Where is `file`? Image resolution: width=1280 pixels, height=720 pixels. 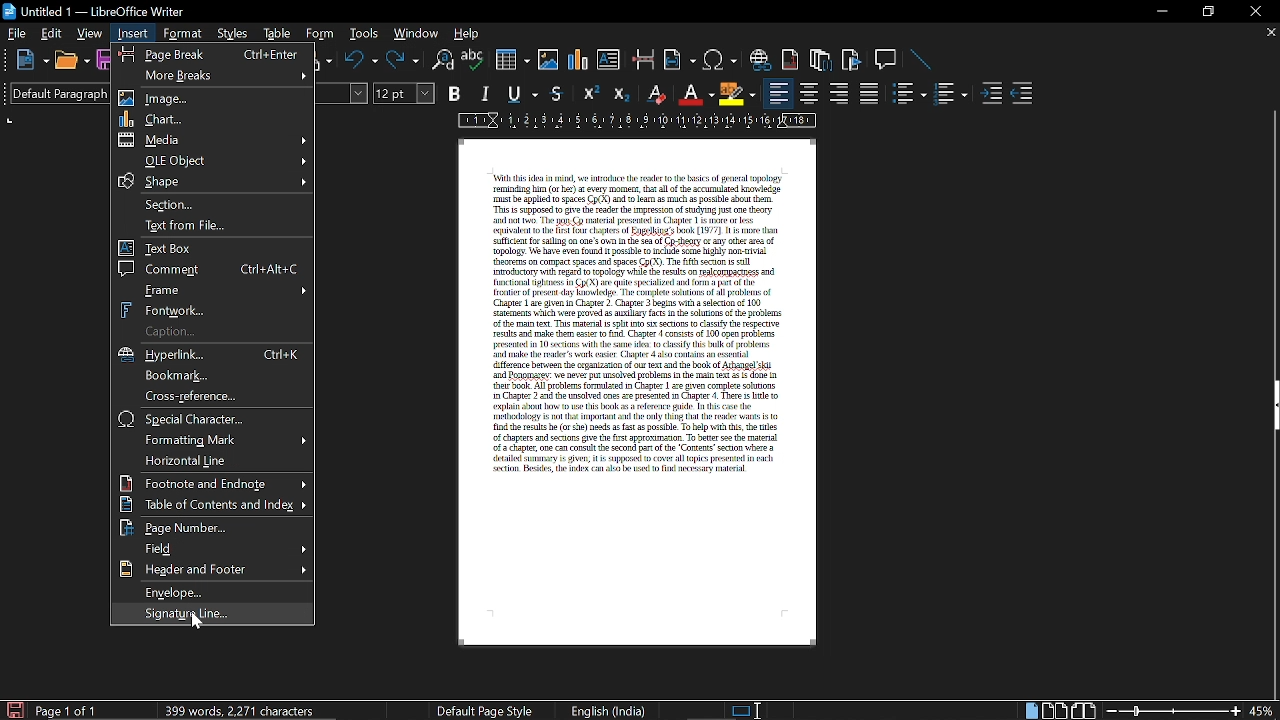 file is located at coordinates (16, 33).